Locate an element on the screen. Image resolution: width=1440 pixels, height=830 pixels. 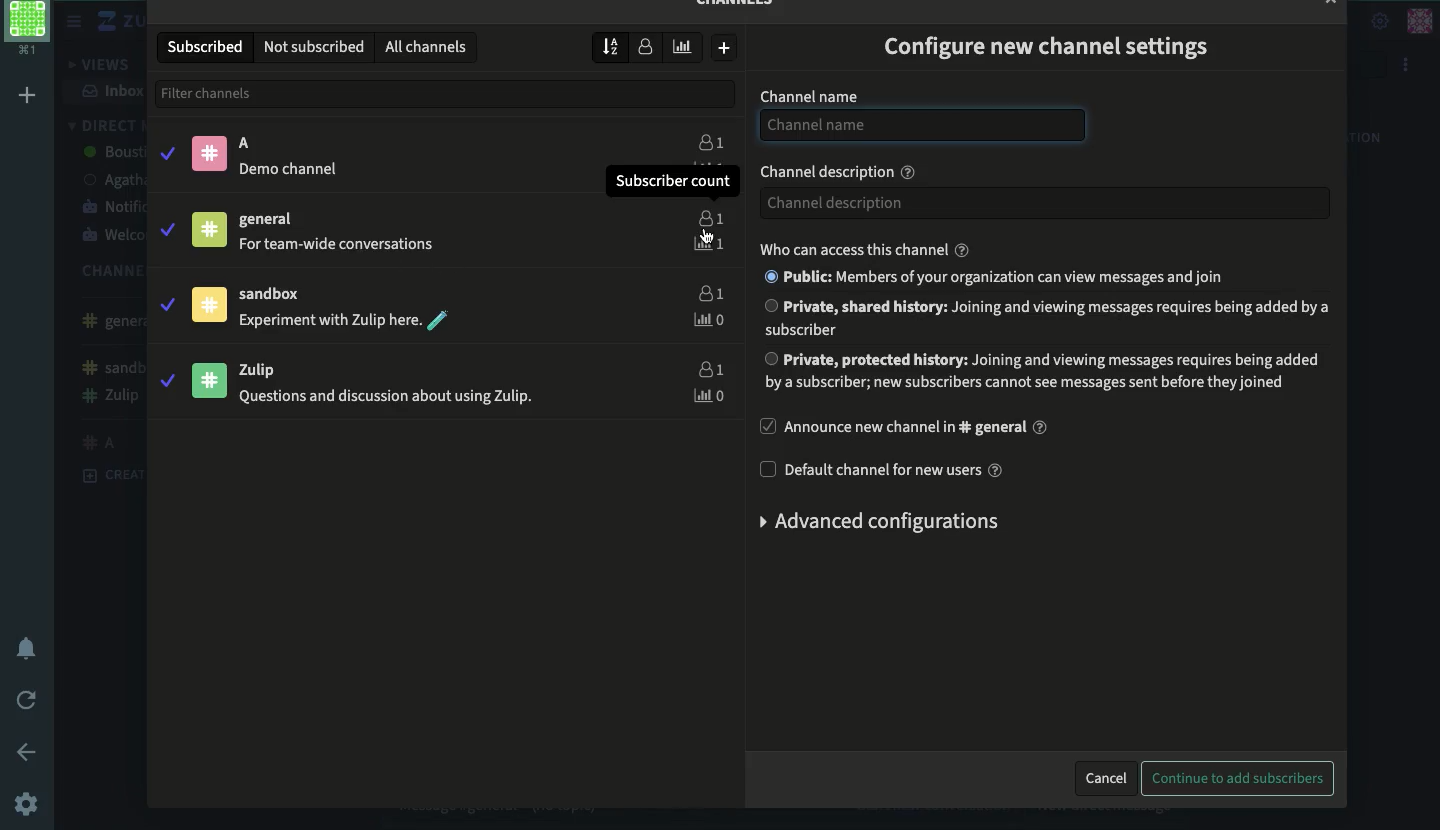
who can access this channel? is located at coordinates (872, 250).